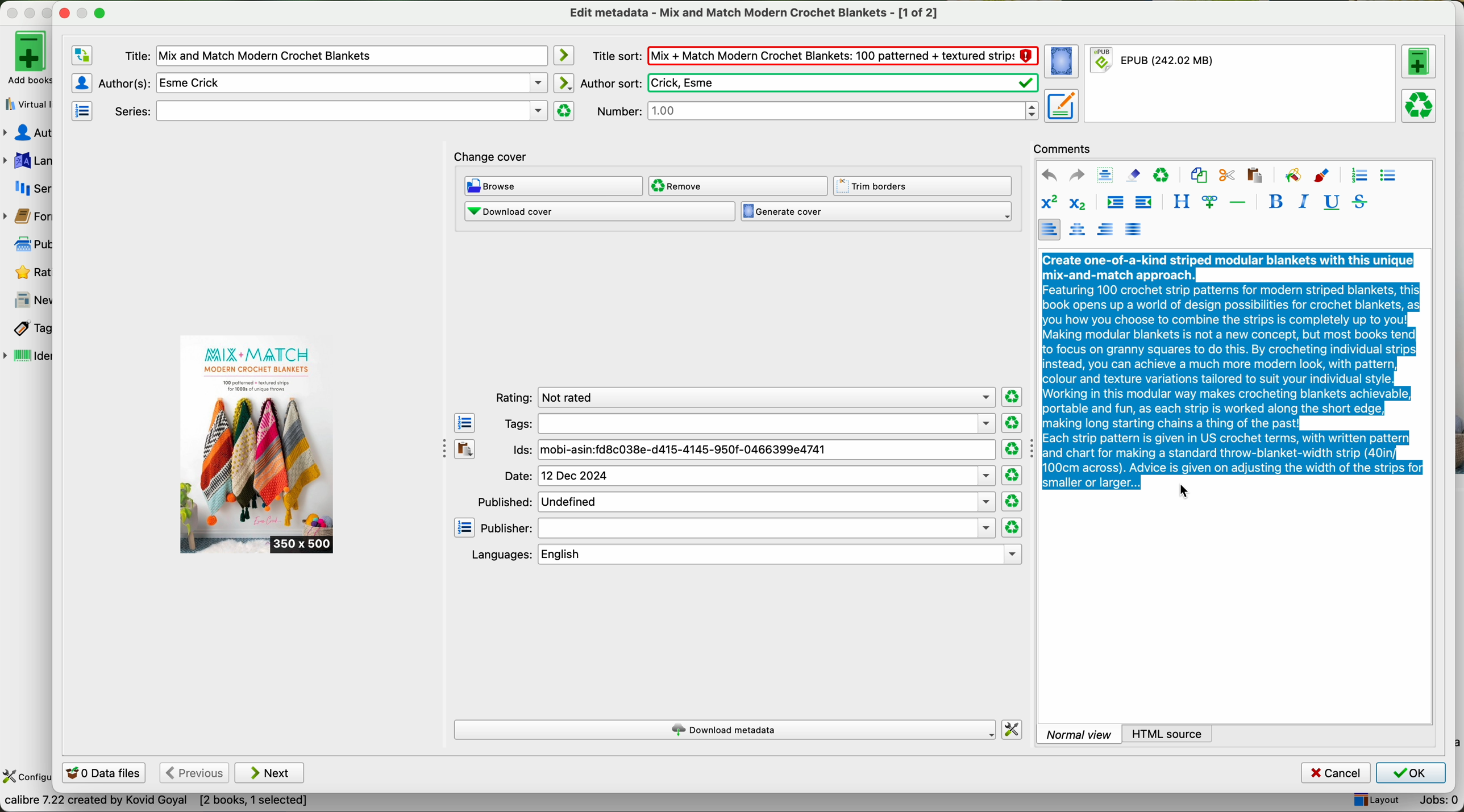  What do you see at coordinates (1013, 502) in the screenshot?
I see `clear rating` at bounding box center [1013, 502].